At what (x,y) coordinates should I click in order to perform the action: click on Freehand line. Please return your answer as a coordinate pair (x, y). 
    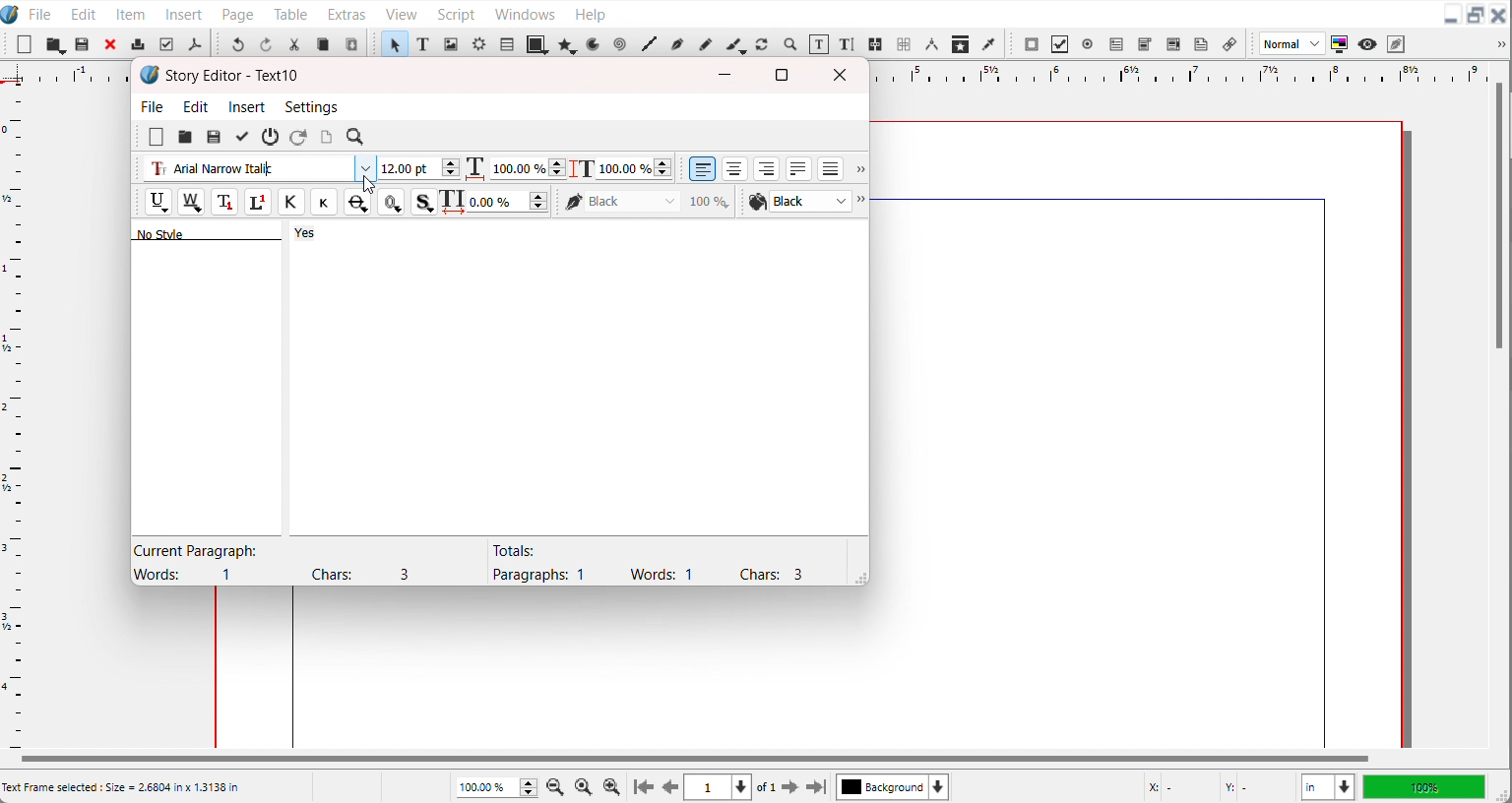
    Looking at the image, I should click on (704, 43).